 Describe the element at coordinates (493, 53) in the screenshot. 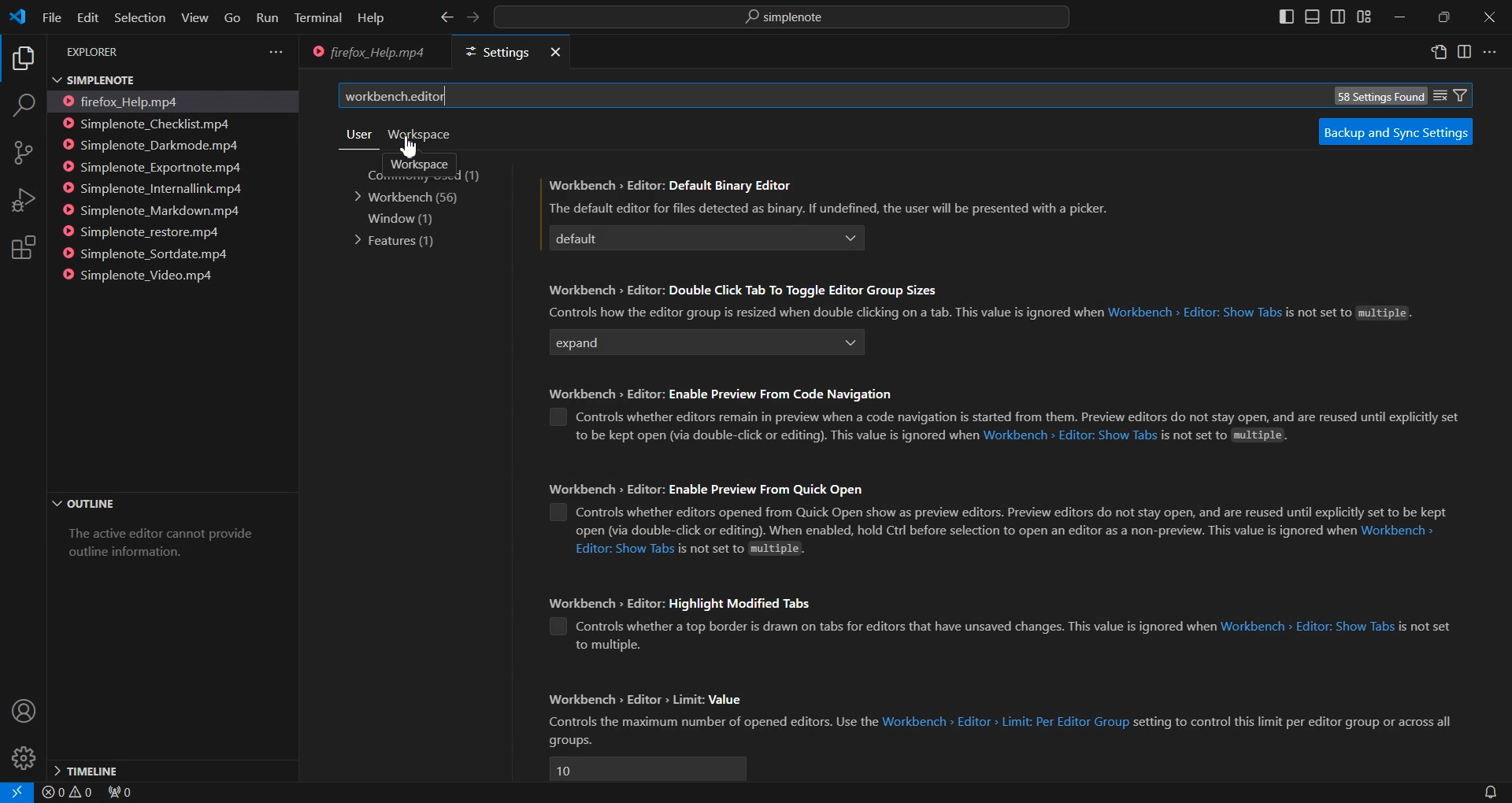

I see `Settings` at that location.